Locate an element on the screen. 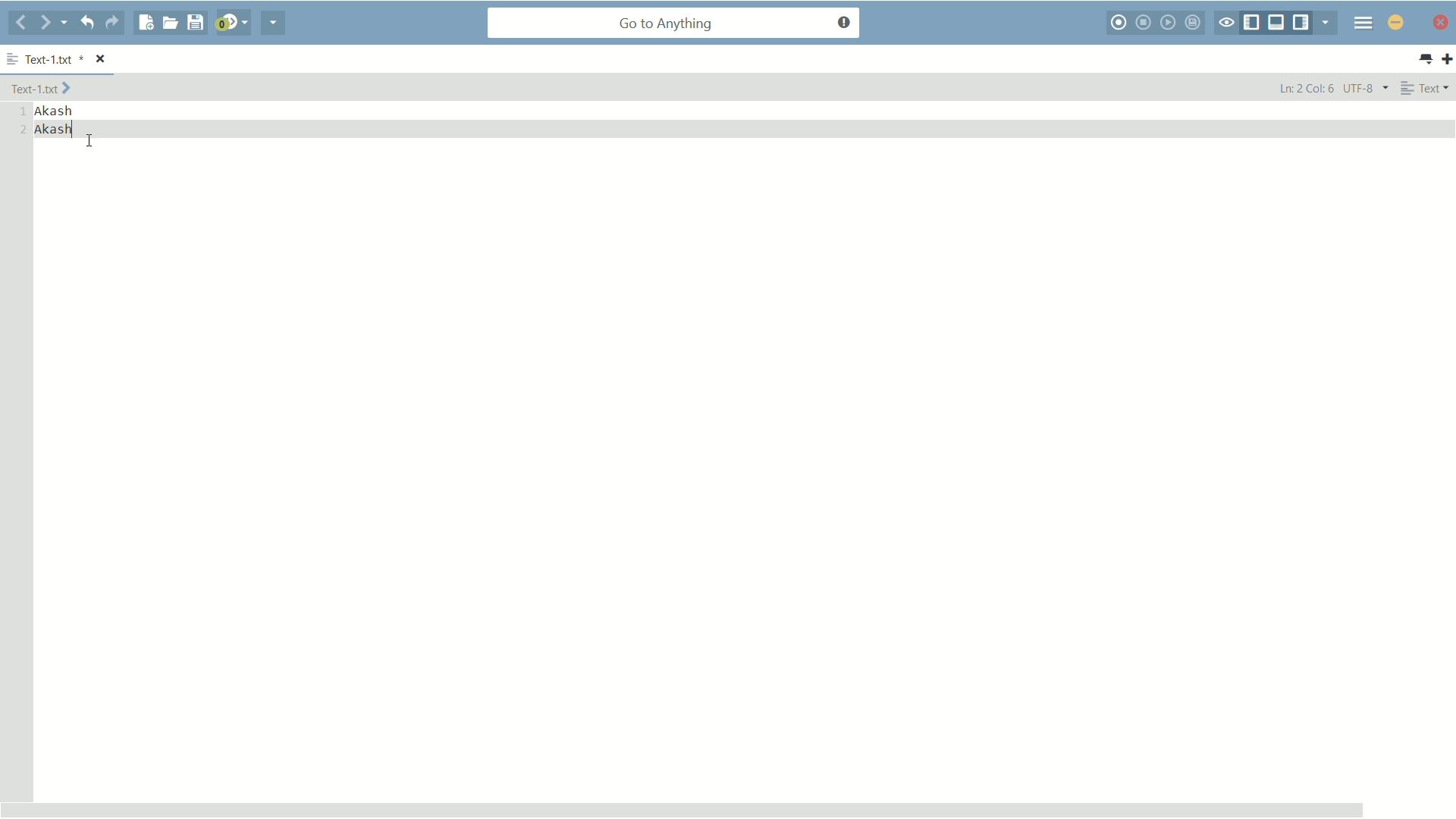  show specific sidebar/tab is located at coordinates (1326, 22).